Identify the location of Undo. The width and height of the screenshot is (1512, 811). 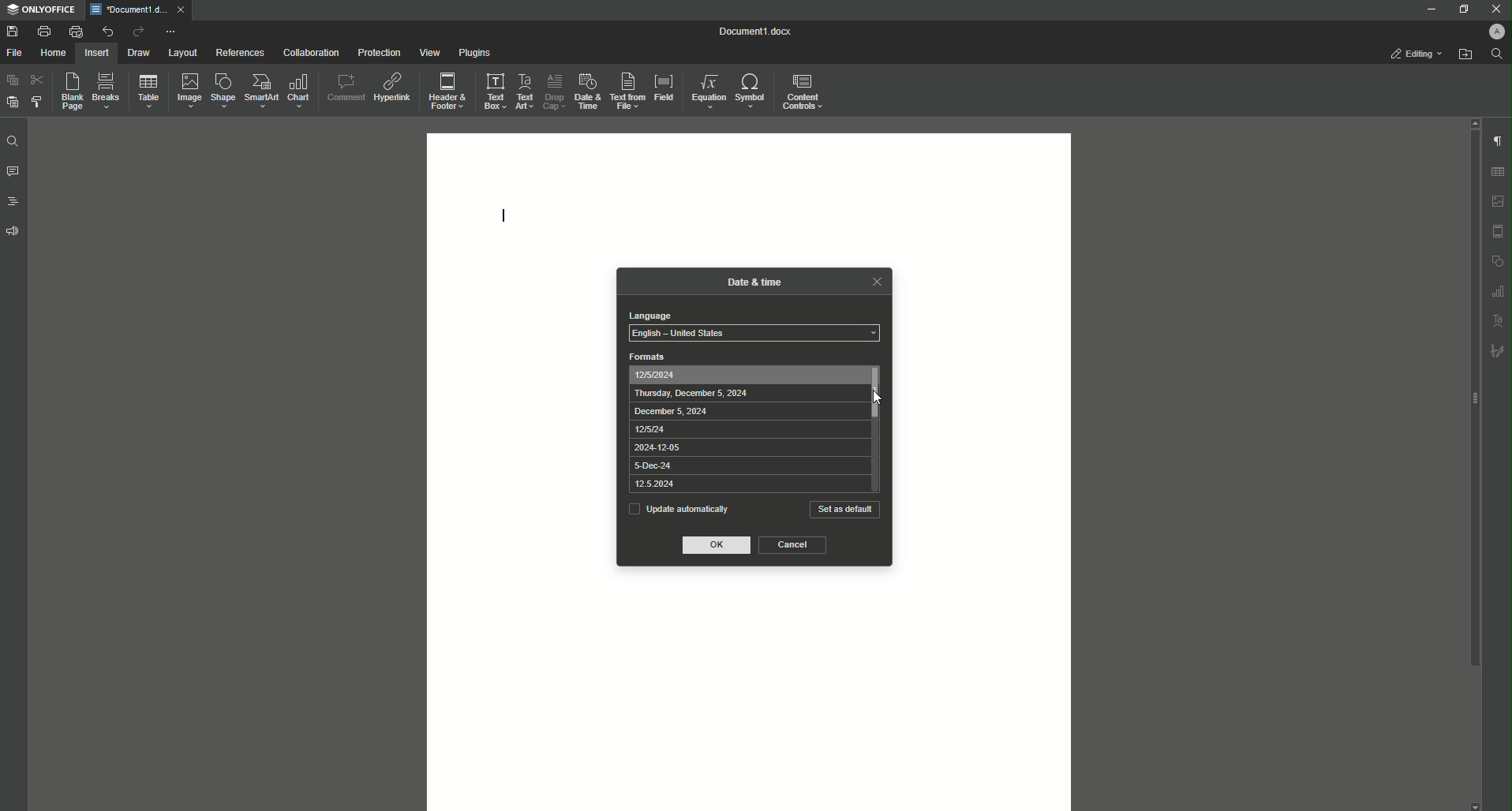
(106, 31).